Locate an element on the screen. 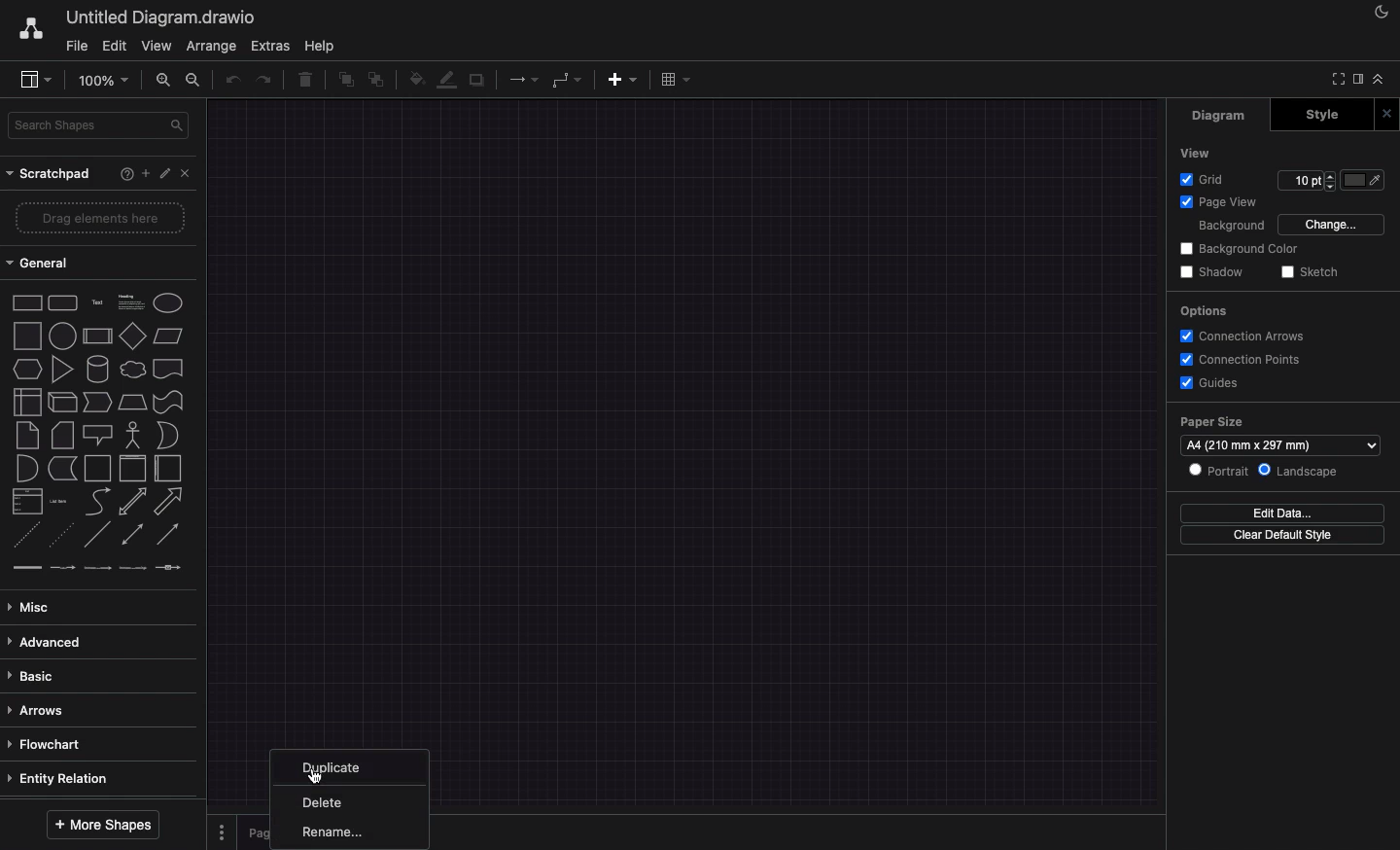 The width and height of the screenshot is (1400, 850). general is located at coordinates (38, 263).